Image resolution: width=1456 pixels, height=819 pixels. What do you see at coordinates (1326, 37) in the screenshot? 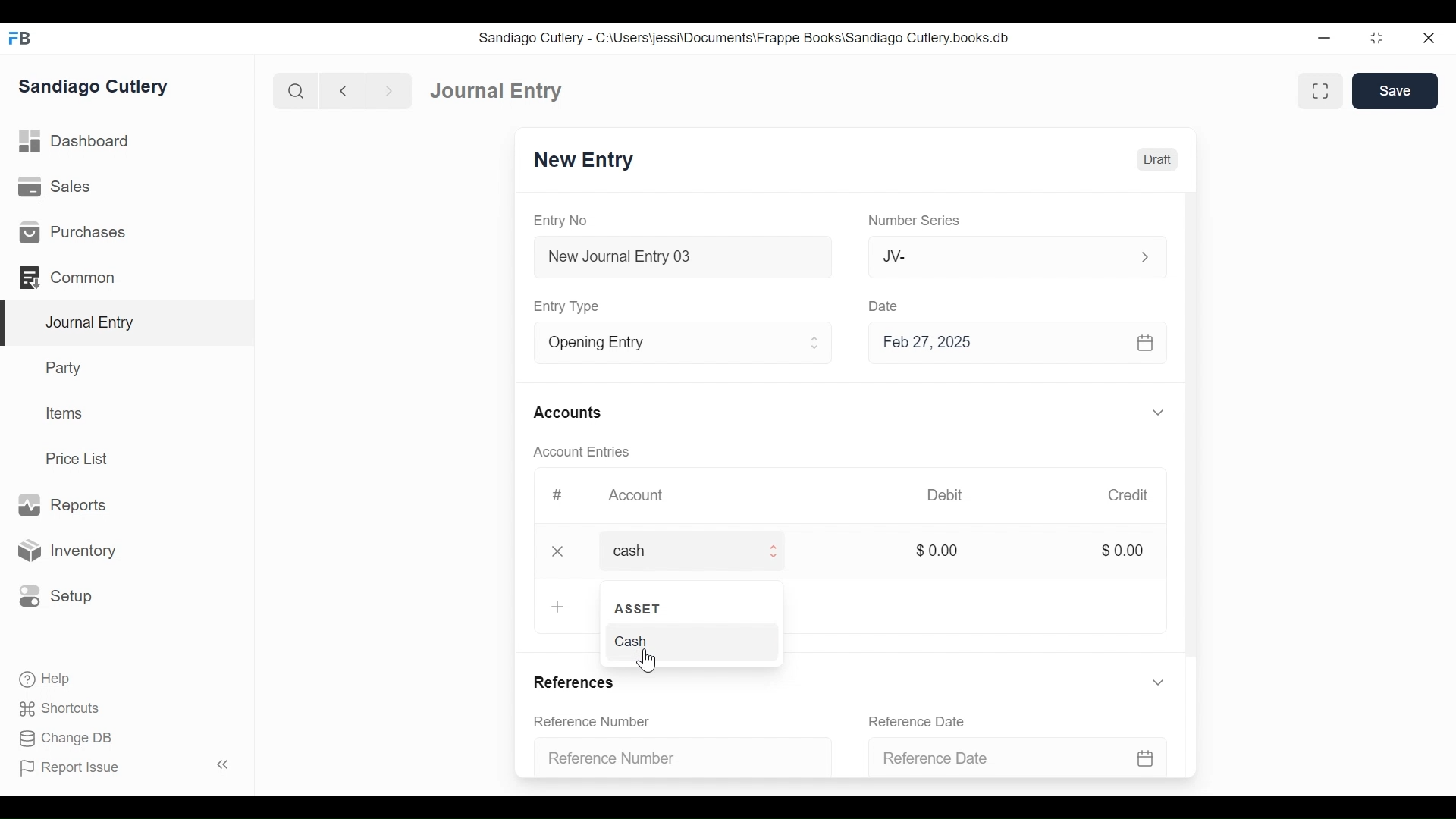
I see `Minimize` at bounding box center [1326, 37].